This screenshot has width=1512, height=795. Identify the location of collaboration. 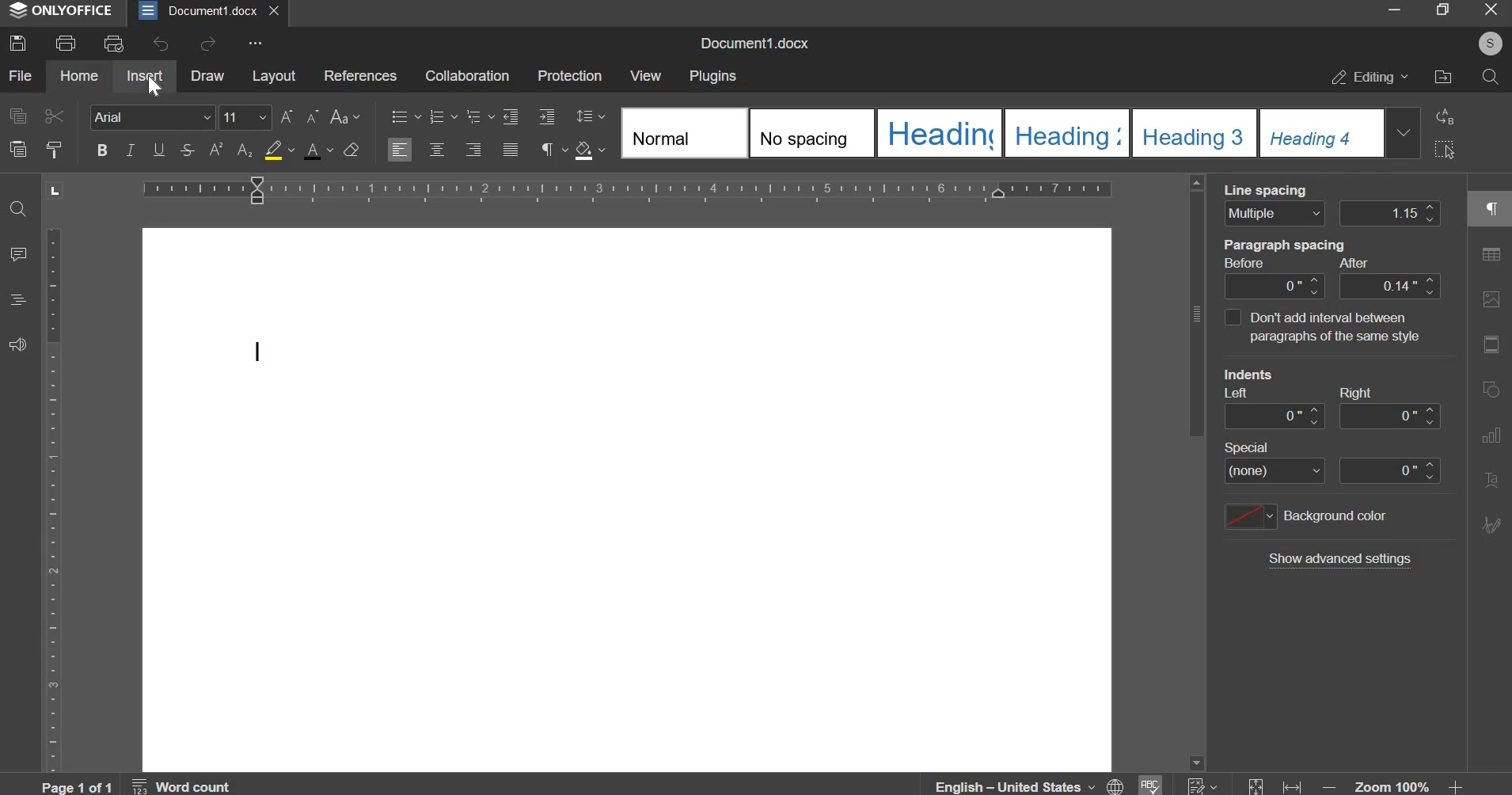
(467, 75).